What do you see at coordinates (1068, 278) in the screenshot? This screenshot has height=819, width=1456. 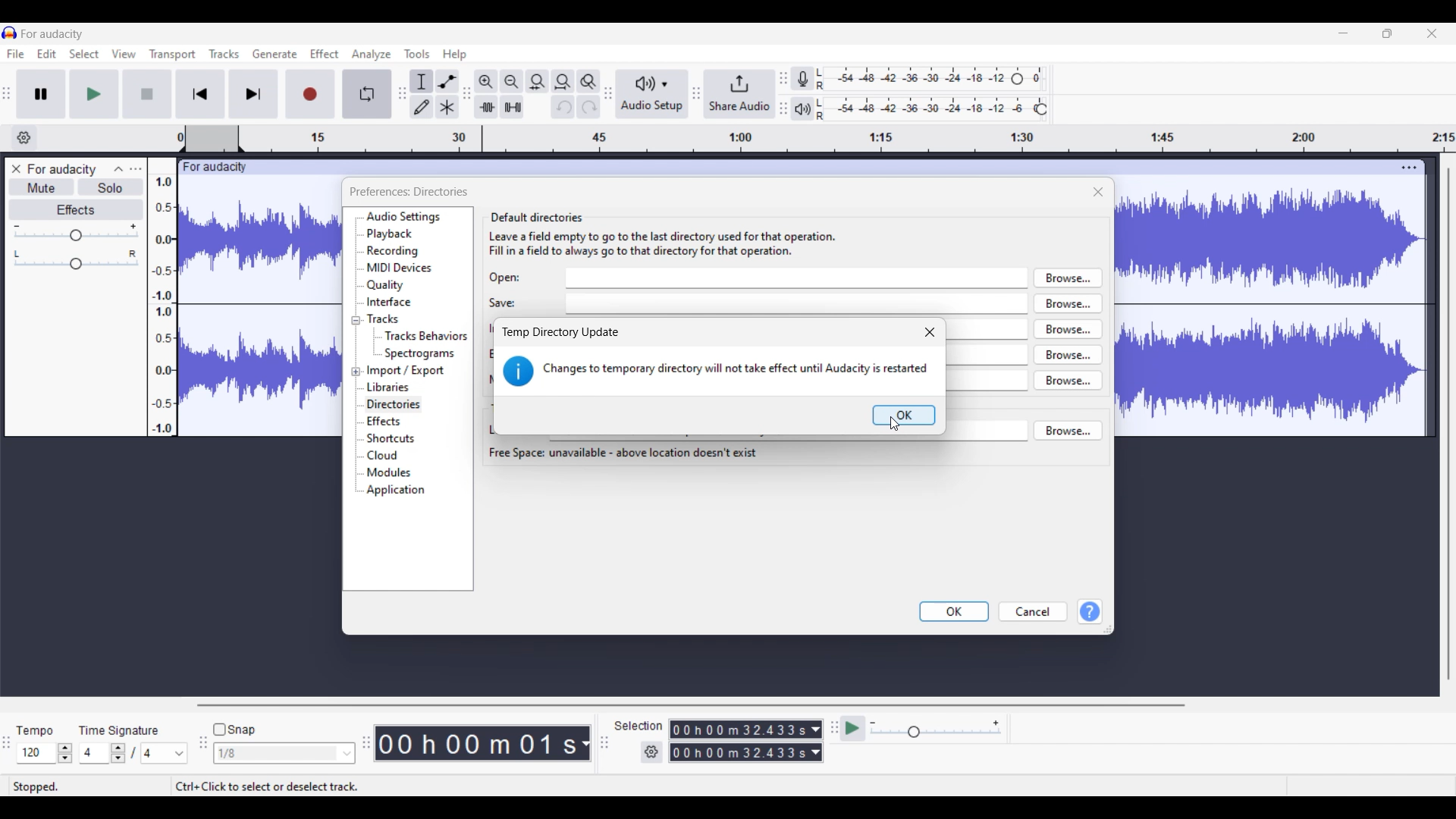 I see `browse` at bounding box center [1068, 278].